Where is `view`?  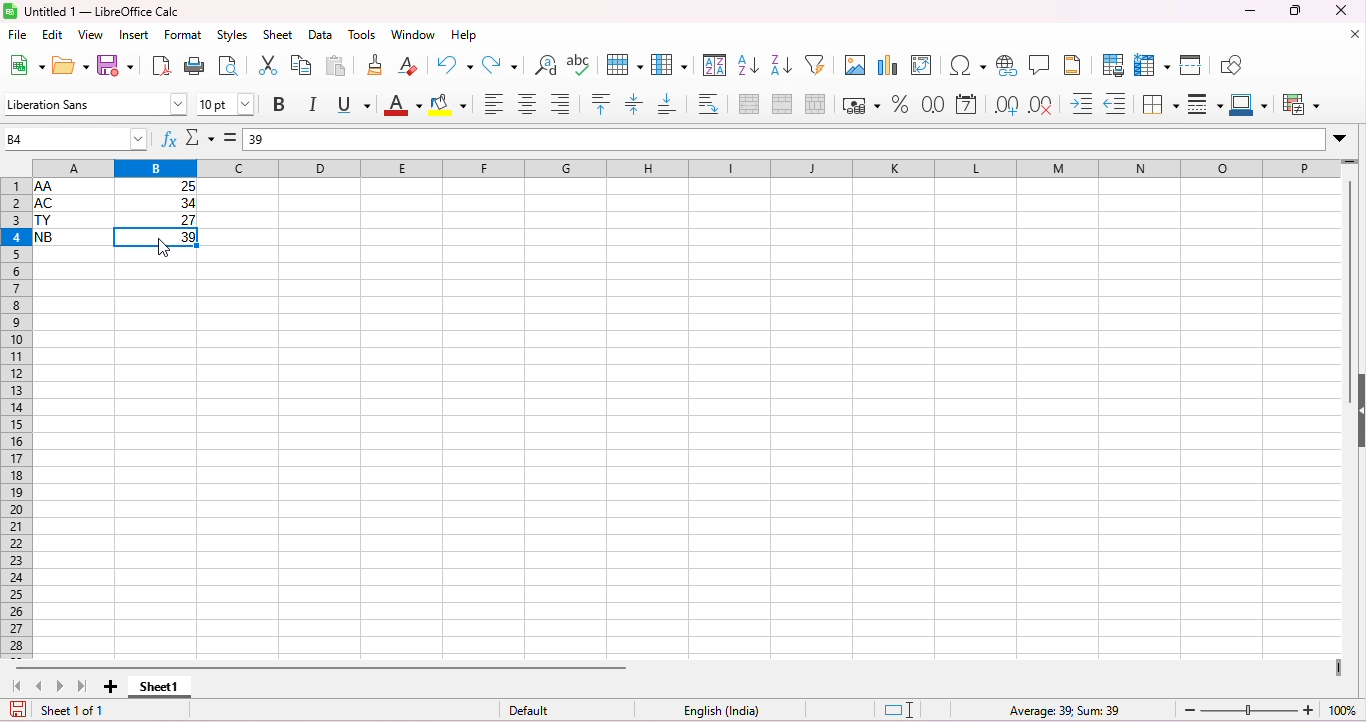 view is located at coordinates (90, 36).